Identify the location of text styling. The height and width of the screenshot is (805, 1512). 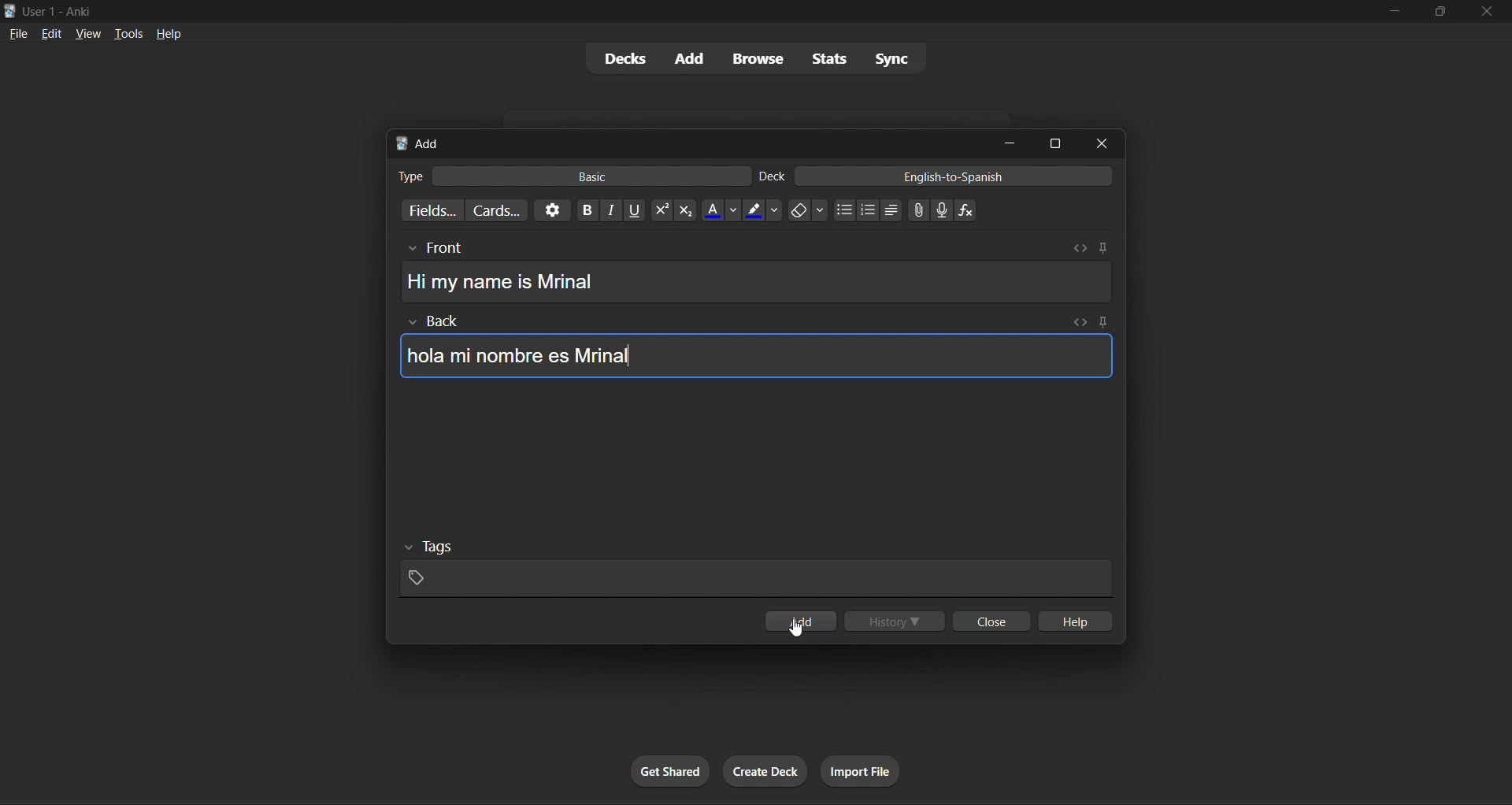
(785, 210).